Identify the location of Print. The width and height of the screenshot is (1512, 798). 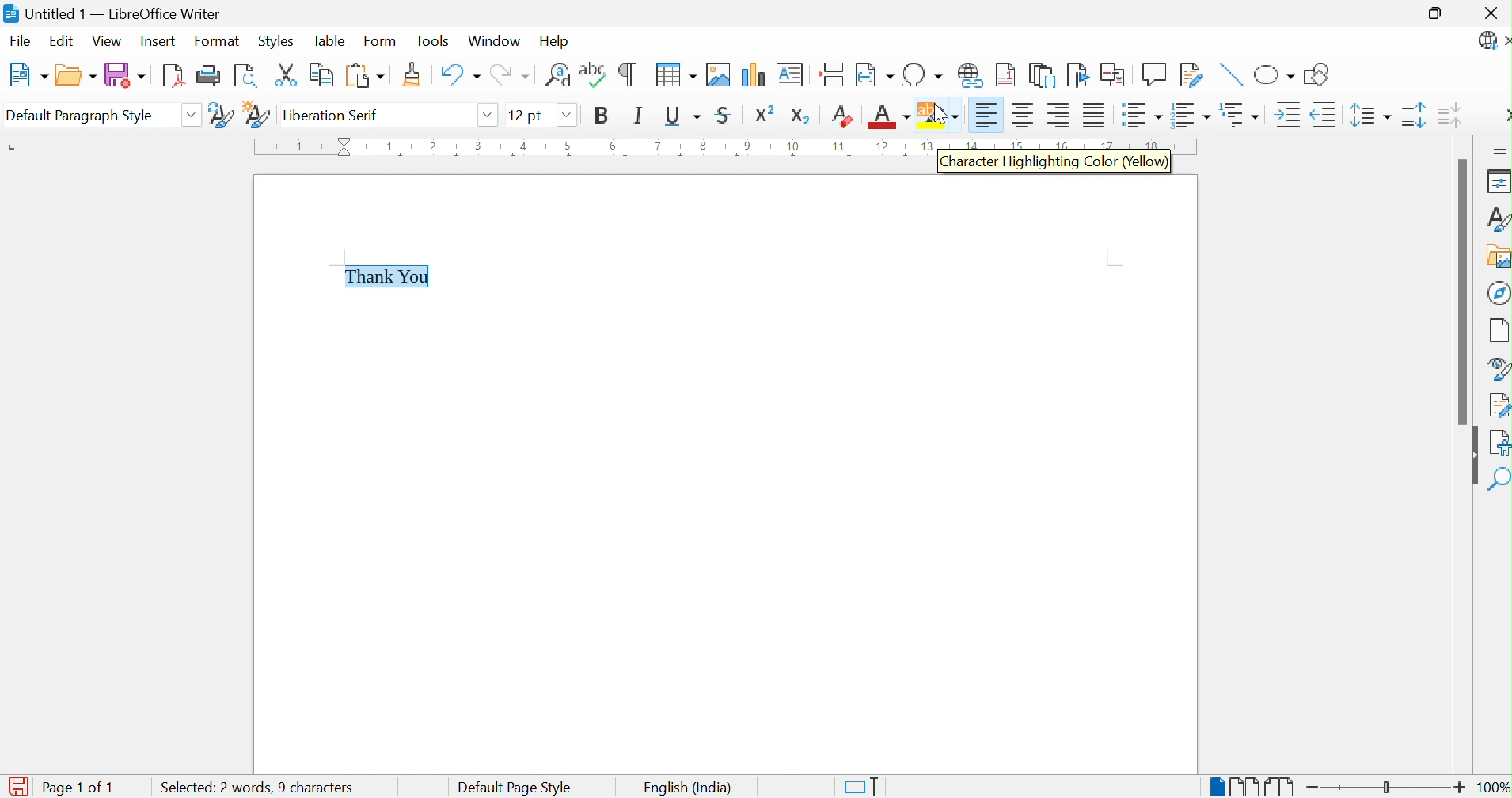
(208, 75).